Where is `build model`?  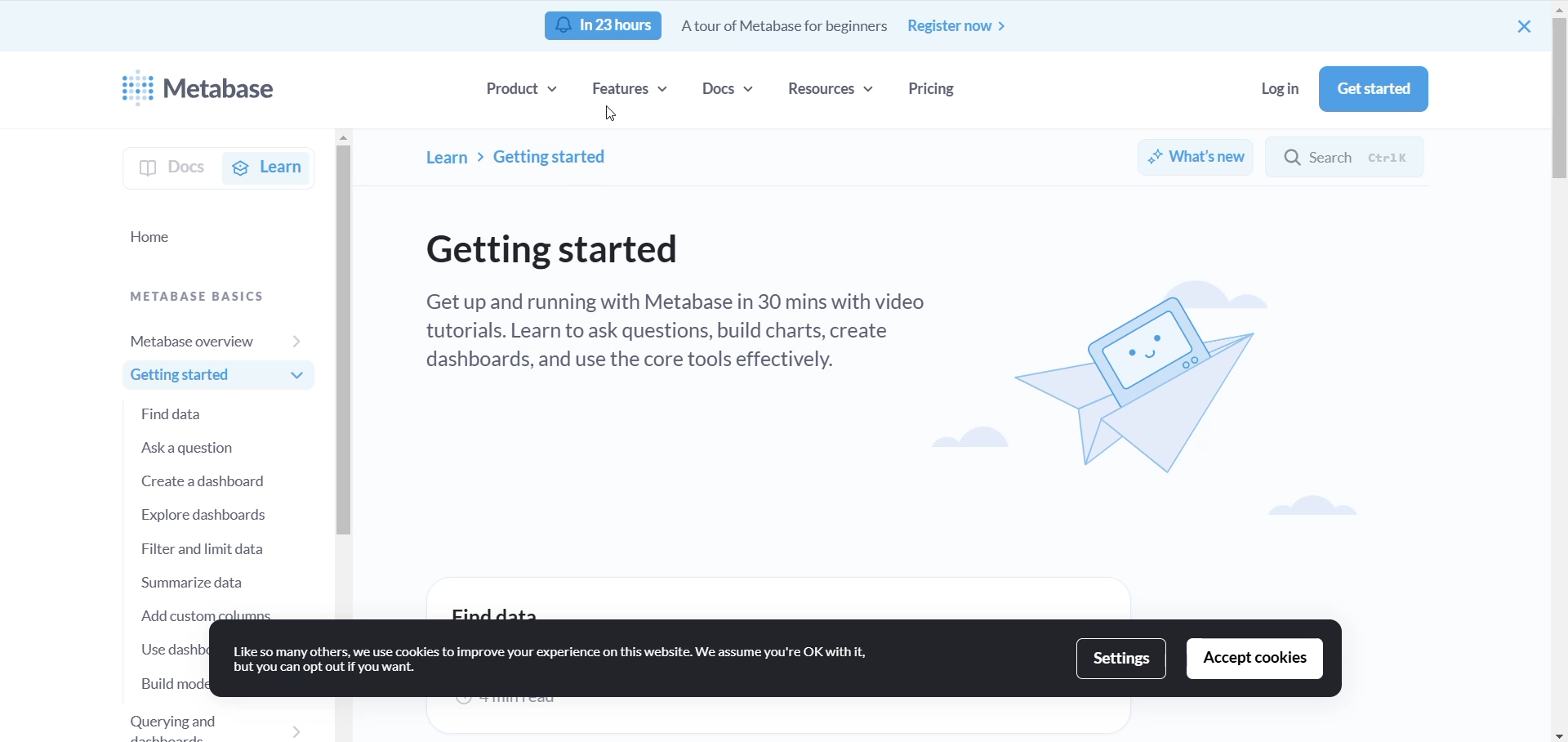
build model is located at coordinates (173, 686).